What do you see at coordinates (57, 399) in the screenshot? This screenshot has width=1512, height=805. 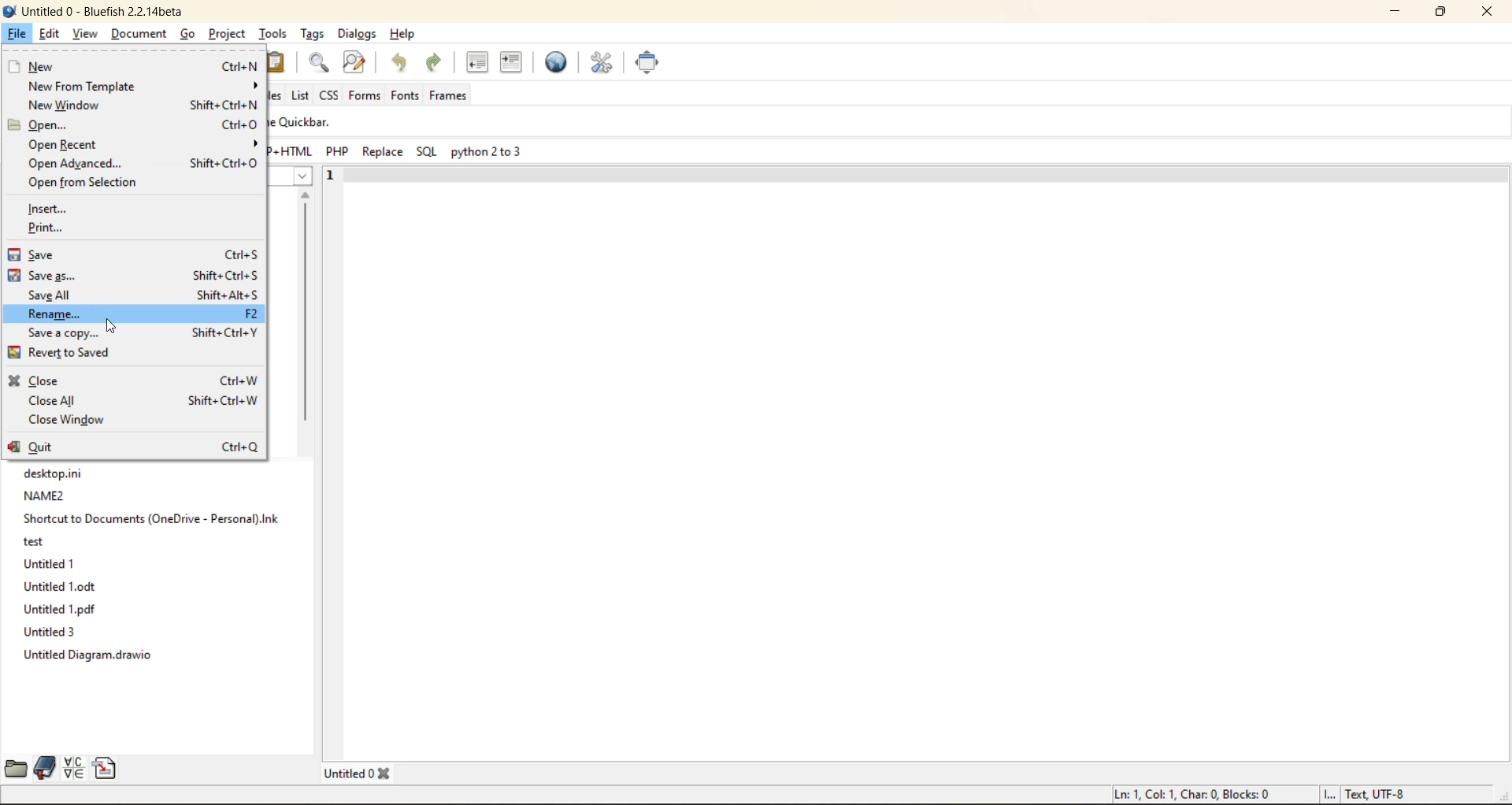 I see `close all` at bounding box center [57, 399].